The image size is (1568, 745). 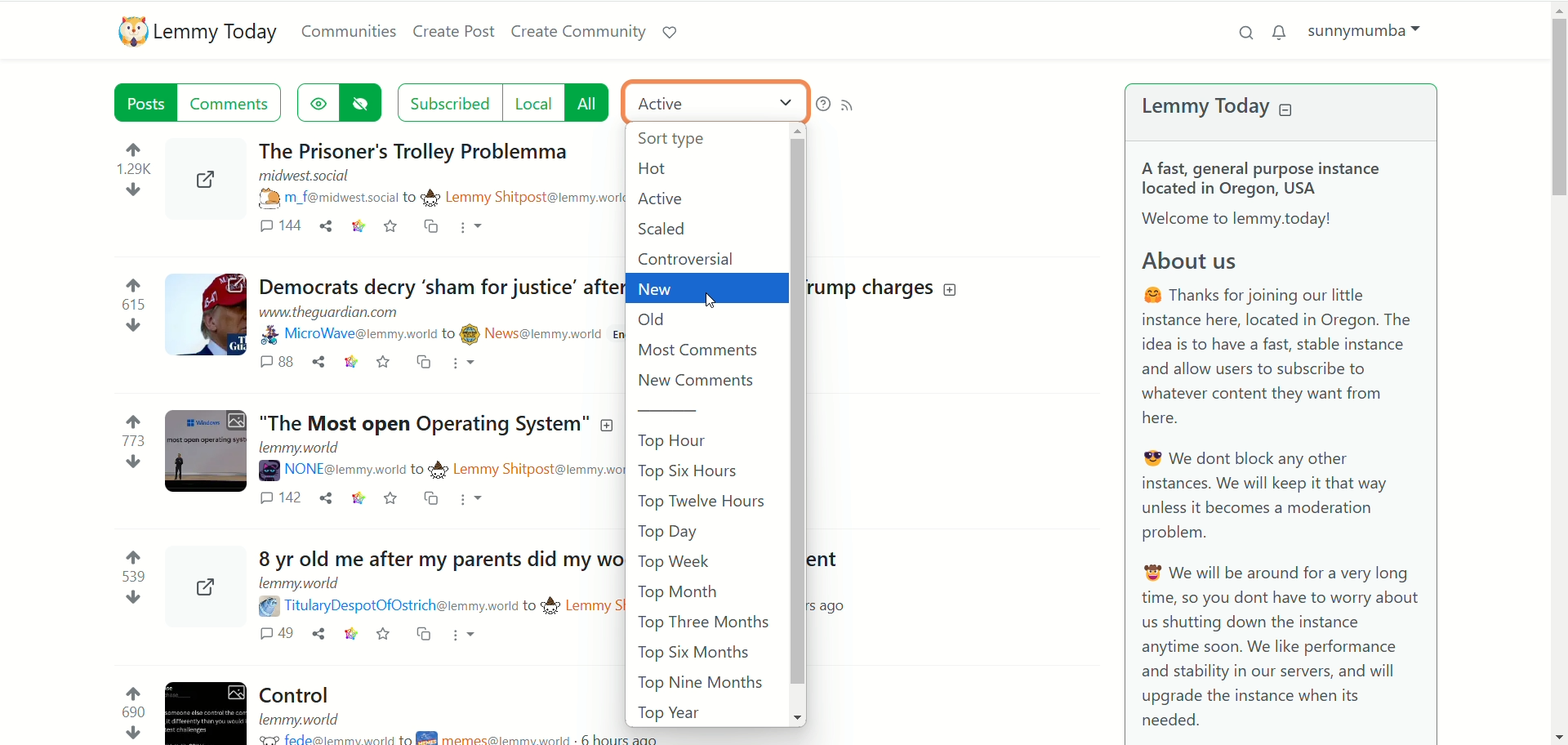 I want to click on lemmy today, so click(x=1221, y=106).